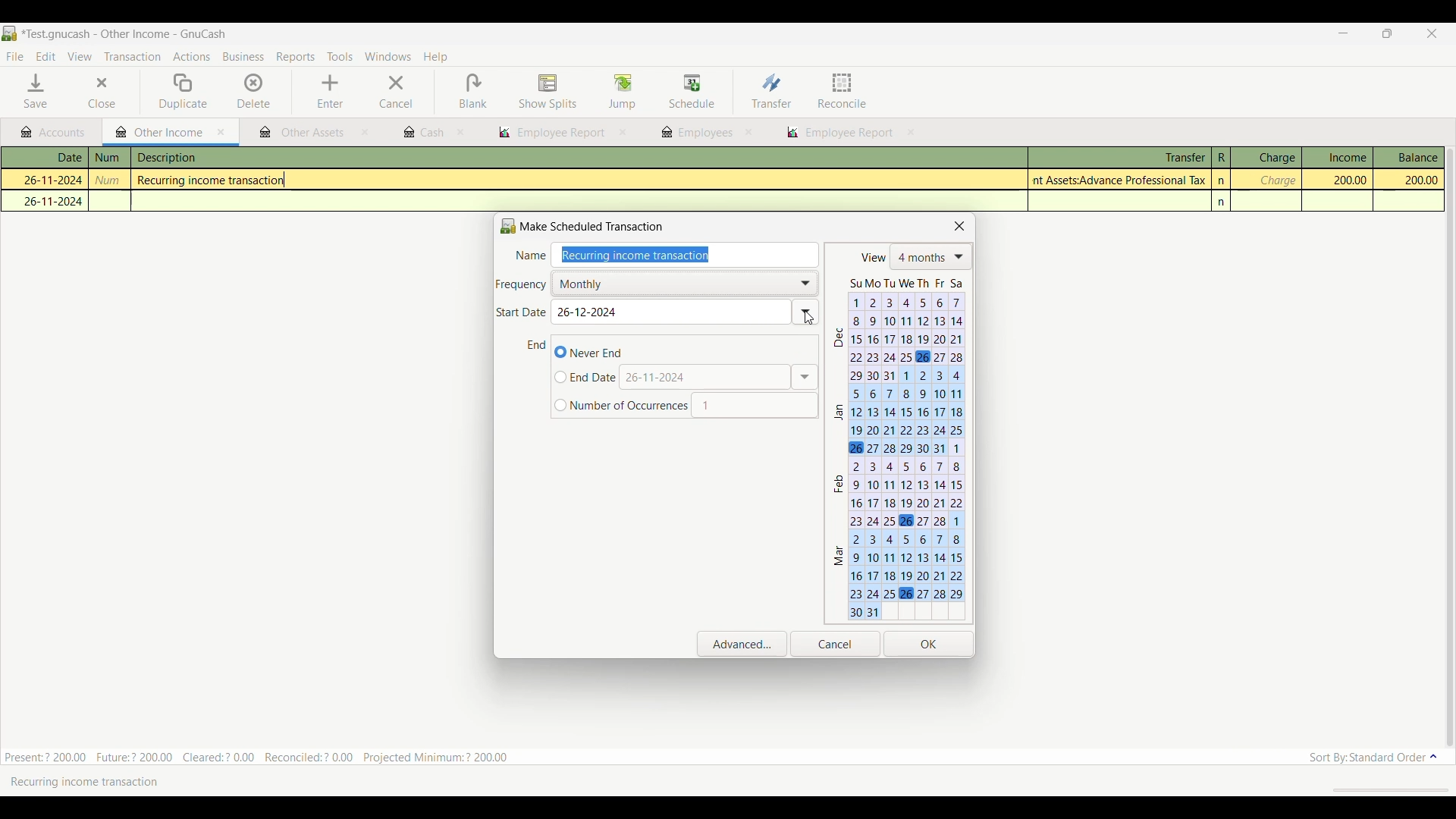  What do you see at coordinates (931, 257) in the screenshot?
I see `List of number of months shows in calendar below` at bounding box center [931, 257].